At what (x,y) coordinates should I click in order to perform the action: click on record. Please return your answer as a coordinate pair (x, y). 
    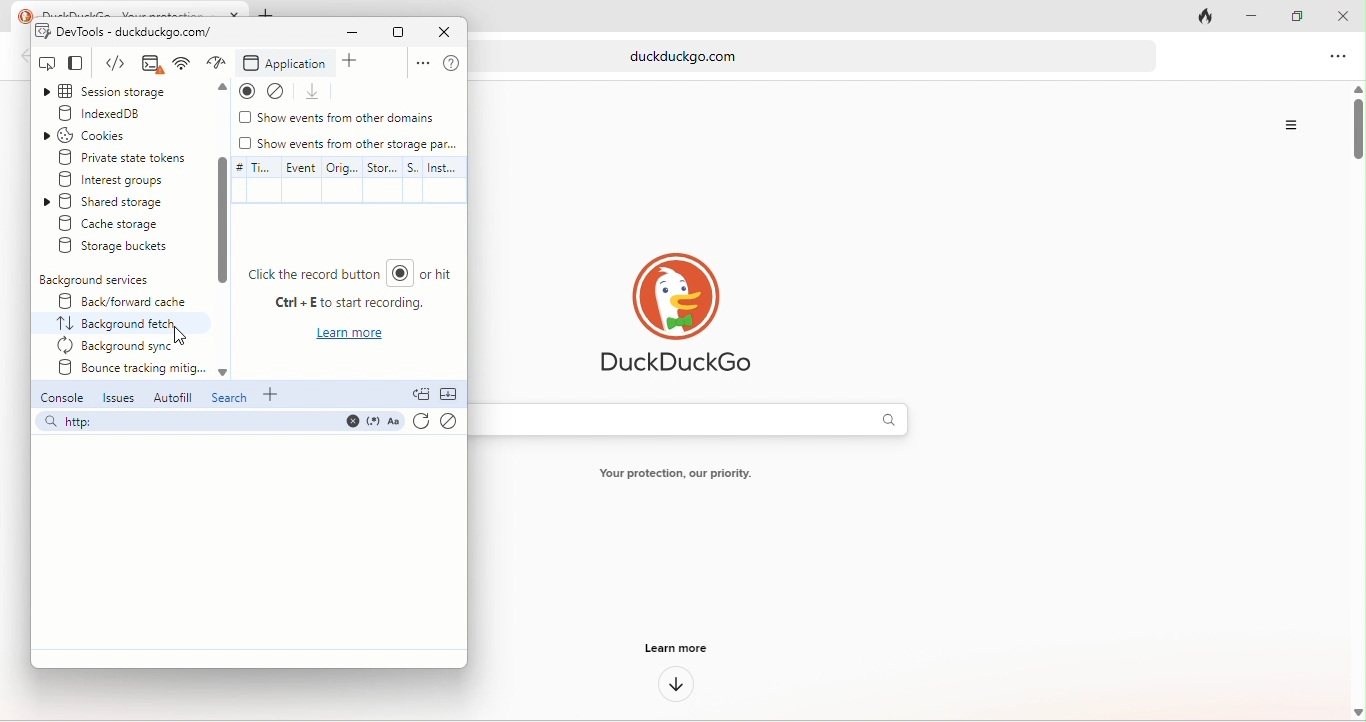
    Looking at the image, I should click on (246, 91).